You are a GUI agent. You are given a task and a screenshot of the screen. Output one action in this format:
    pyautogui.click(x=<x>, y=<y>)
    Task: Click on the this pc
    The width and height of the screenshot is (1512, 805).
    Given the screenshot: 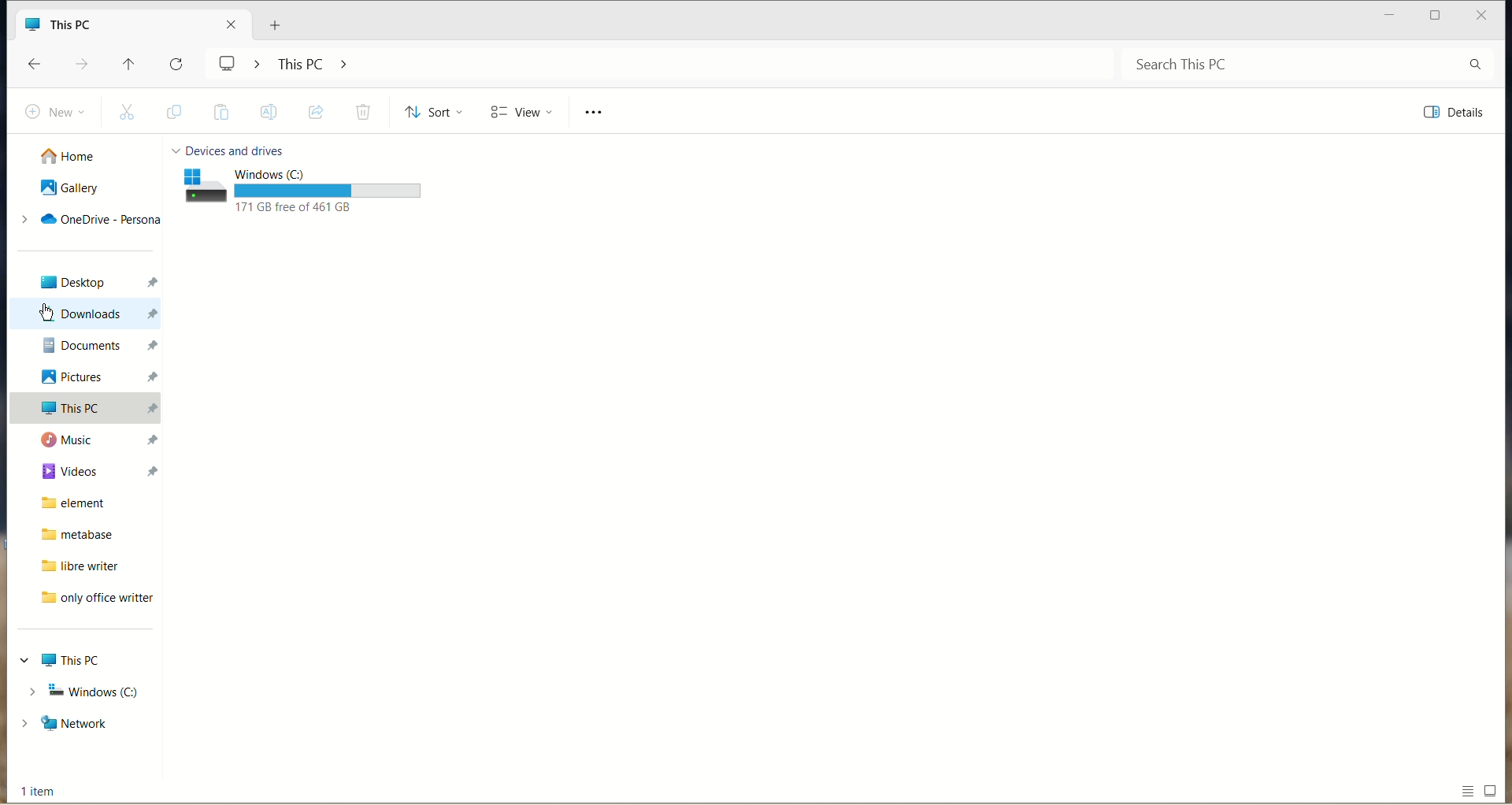 What is the action you would take?
    pyautogui.click(x=94, y=25)
    